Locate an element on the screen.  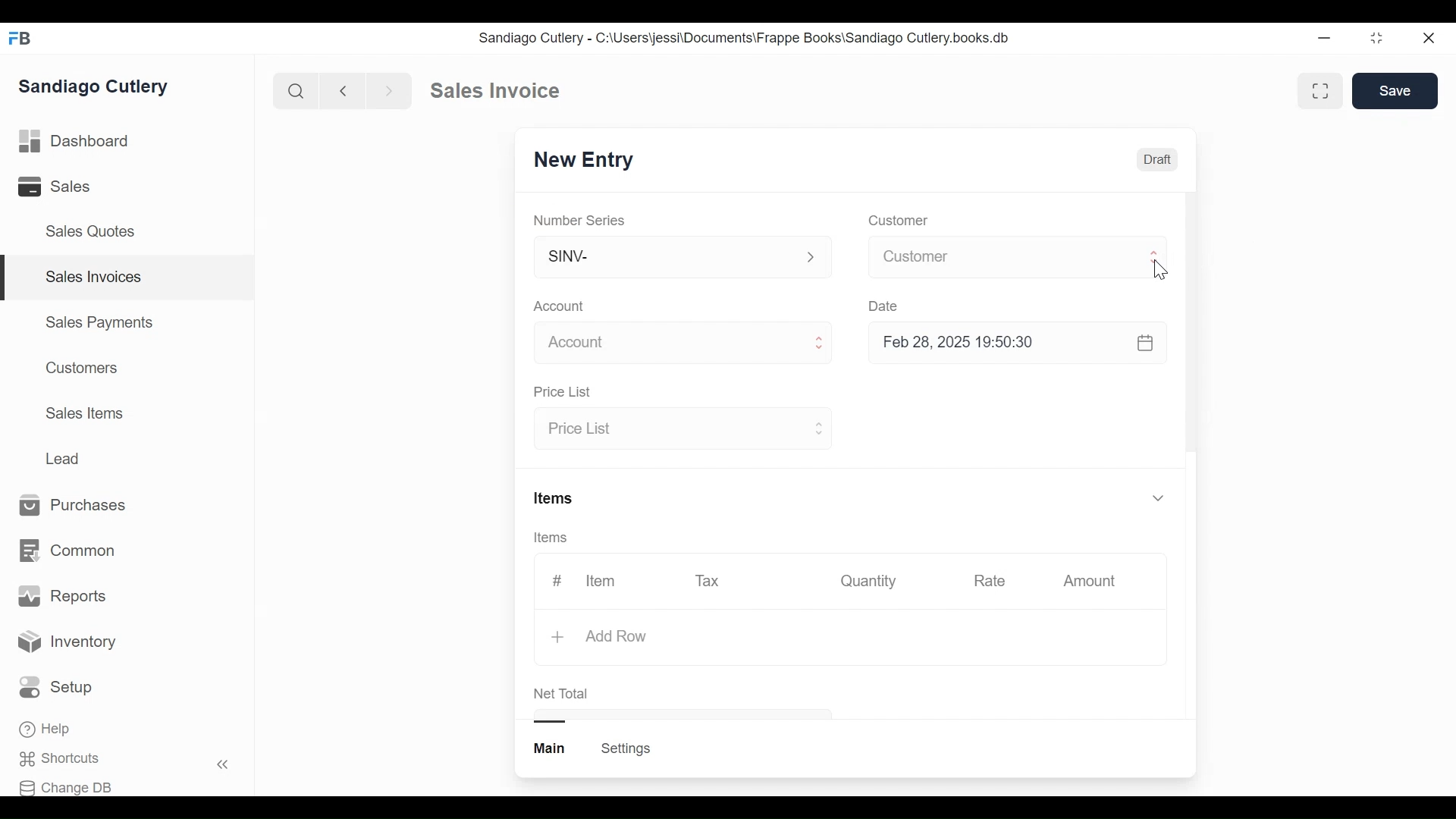
Price List is located at coordinates (680, 430).